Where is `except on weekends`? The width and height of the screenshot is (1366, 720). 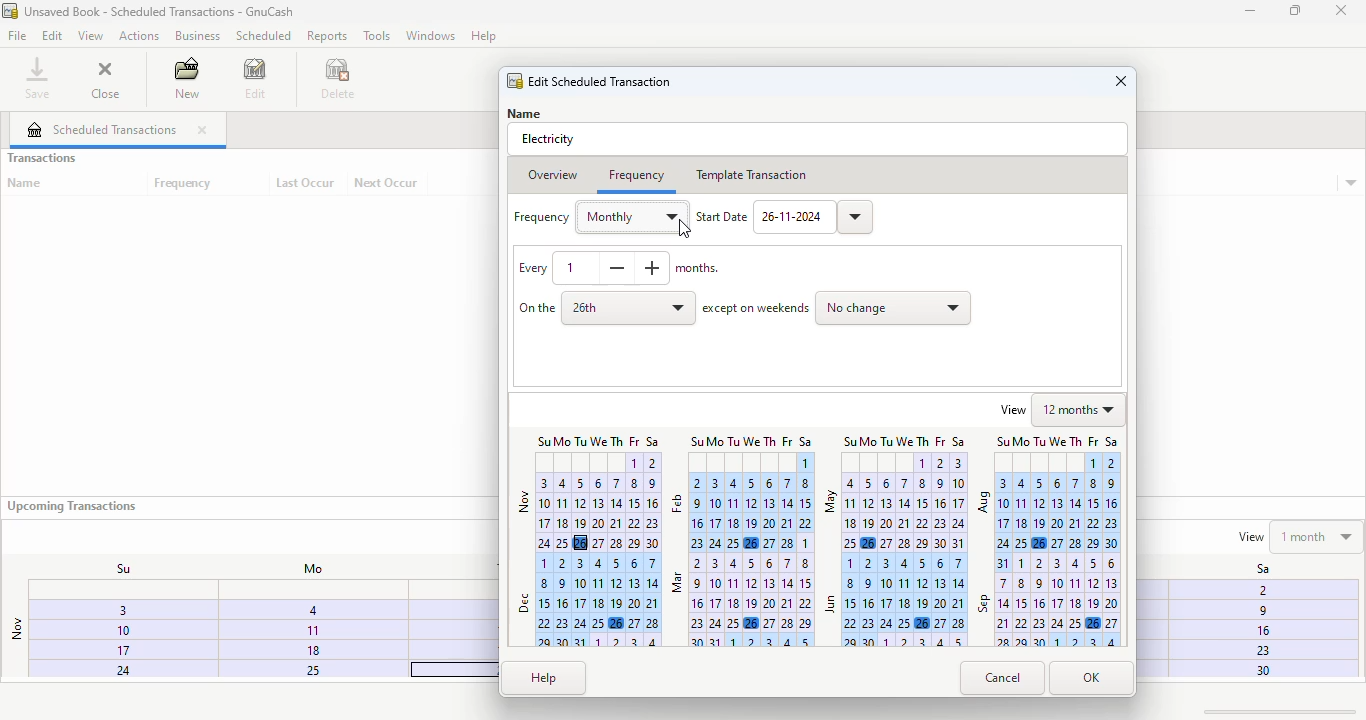
except on weekends is located at coordinates (756, 309).